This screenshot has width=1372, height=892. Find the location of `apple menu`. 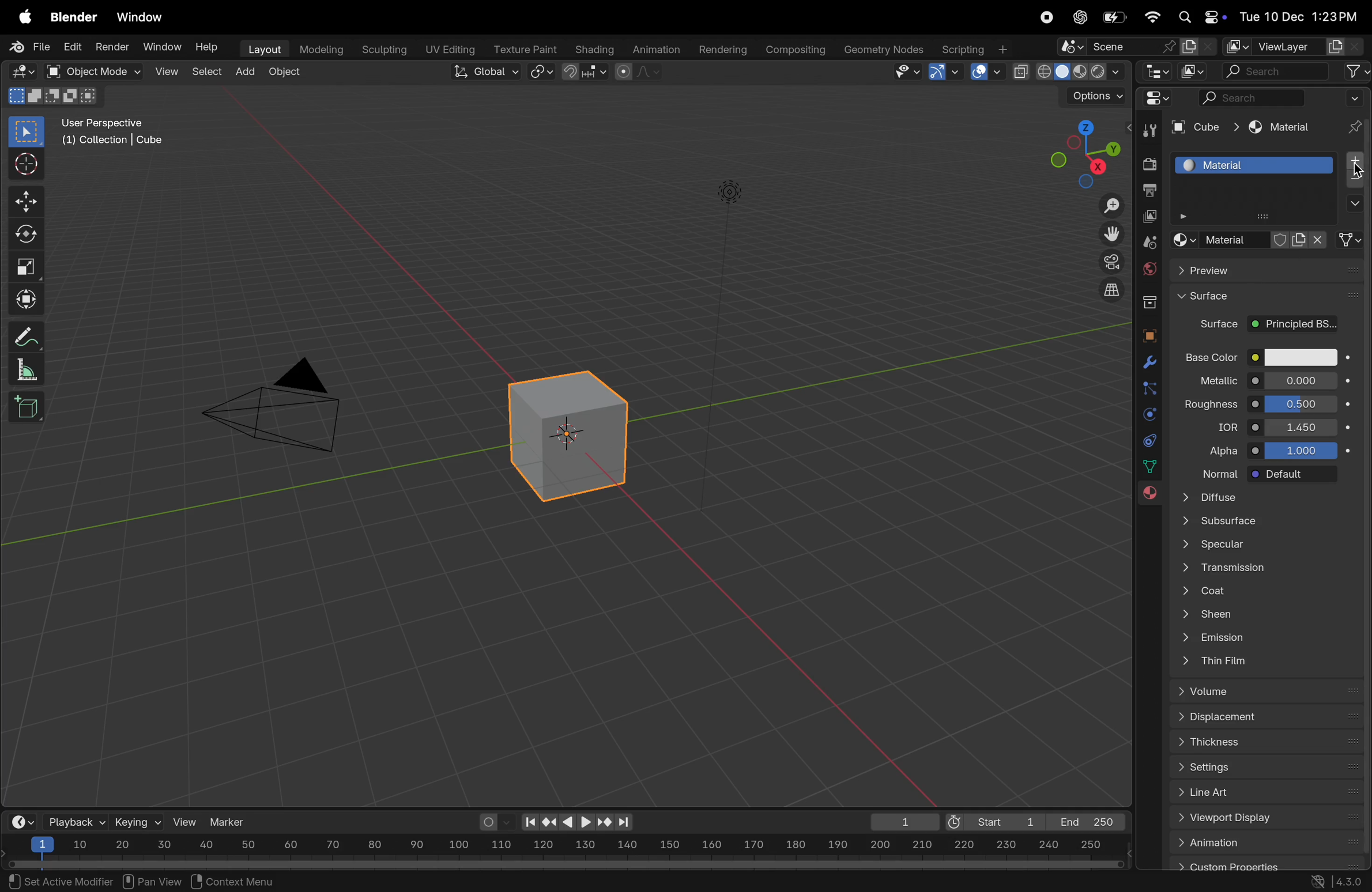

apple menu is located at coordinates (20, 18).